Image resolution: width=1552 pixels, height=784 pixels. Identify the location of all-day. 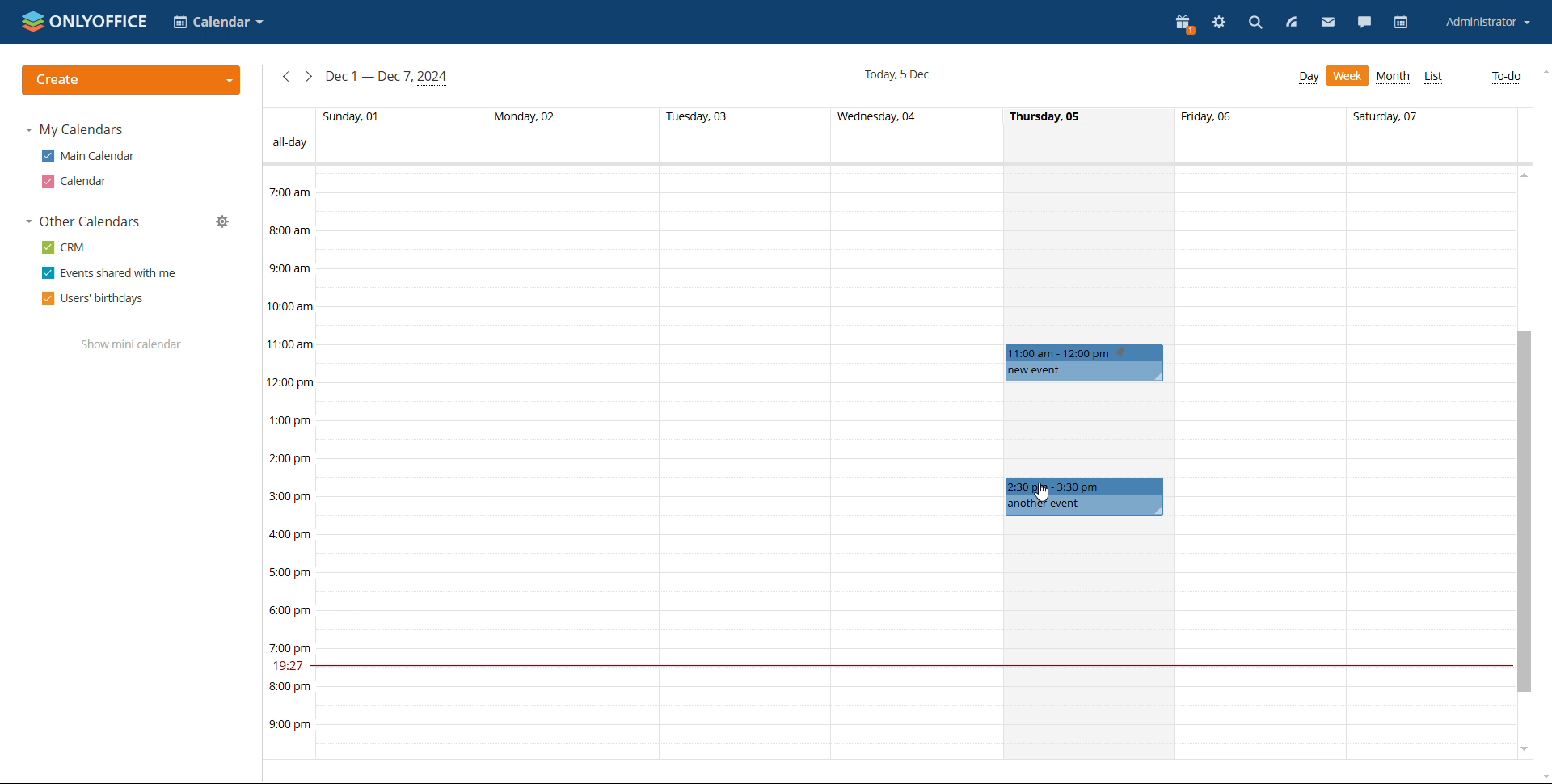
(285, 143).